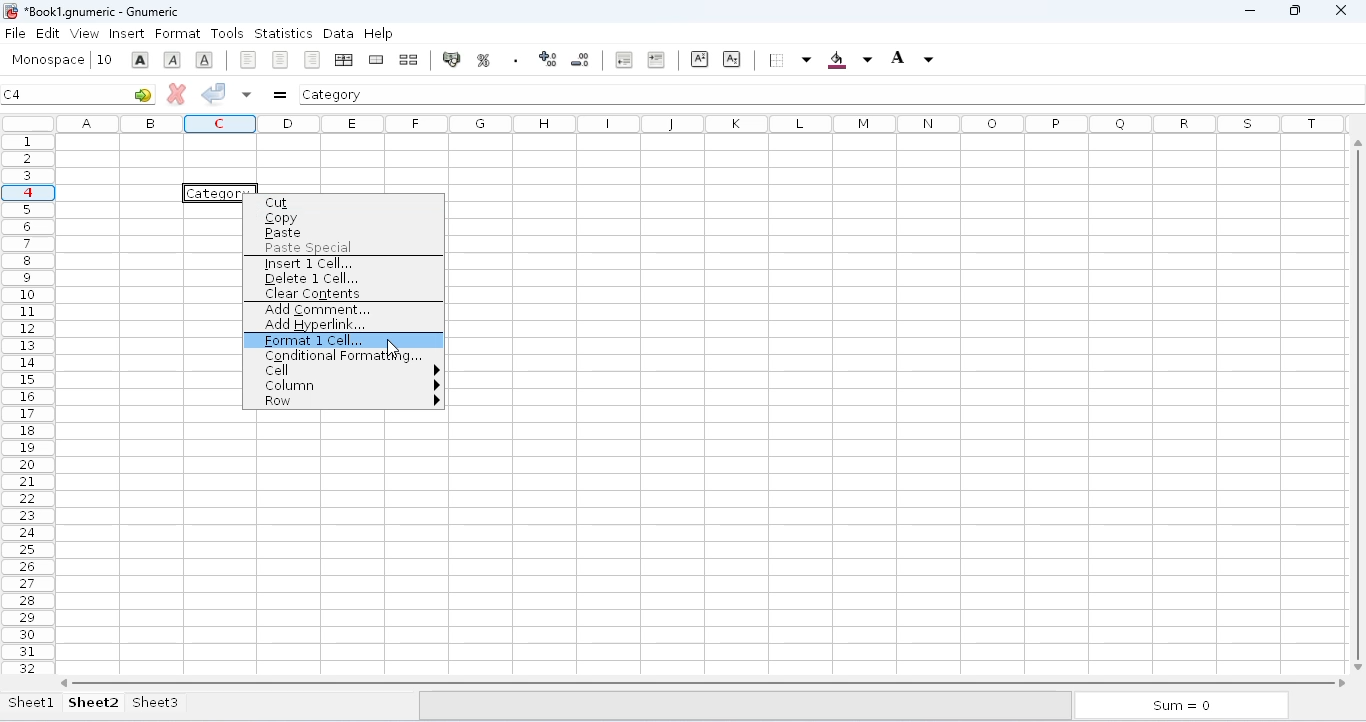 This screenshot has height=722, width=1366. I want to click on increase the indent, so click(656, 59).